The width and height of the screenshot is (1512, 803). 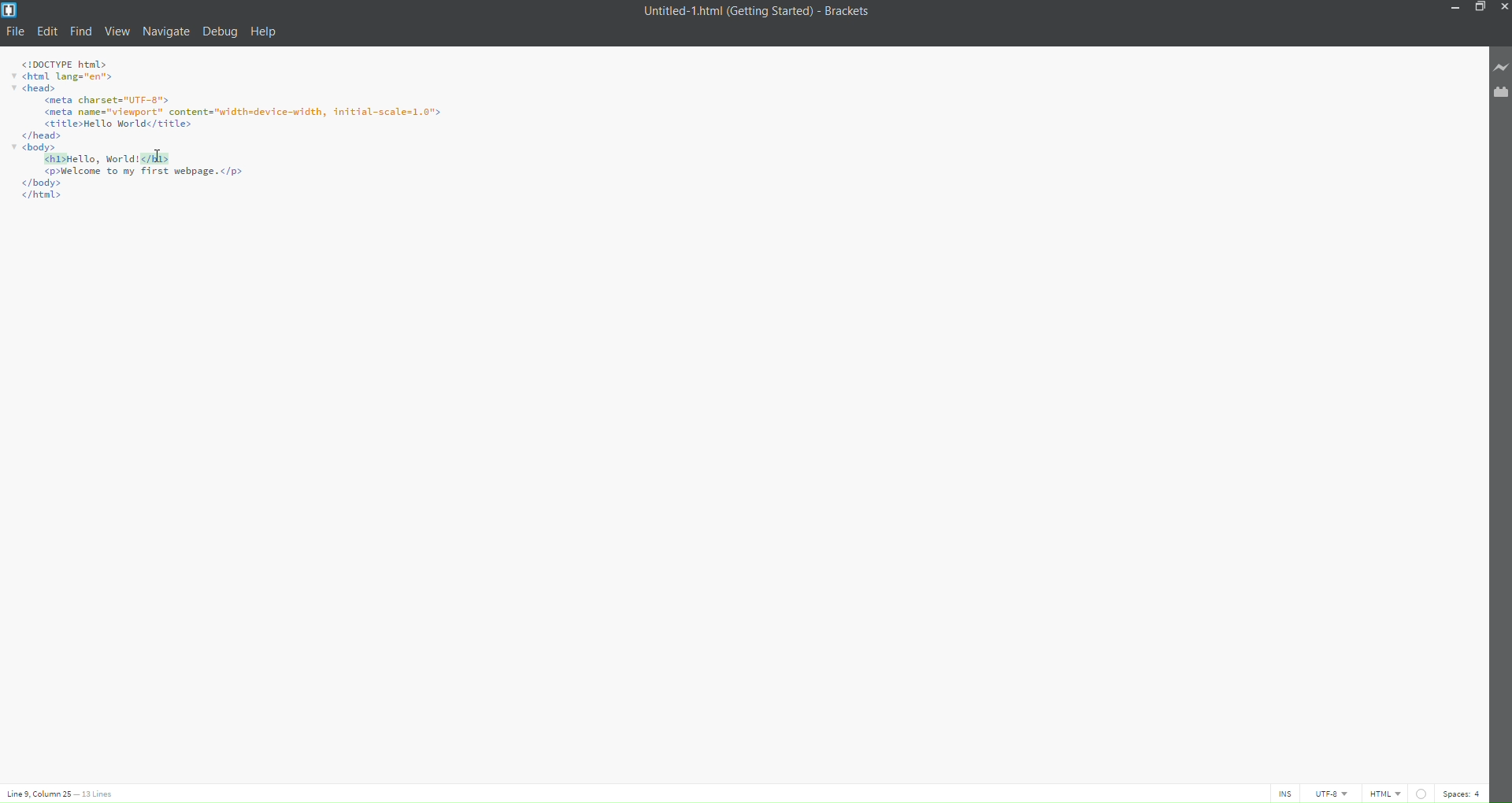 What do you see at coordinates (235, 104) in the screenshot?
I see `code` at bounding box center [235, 104].